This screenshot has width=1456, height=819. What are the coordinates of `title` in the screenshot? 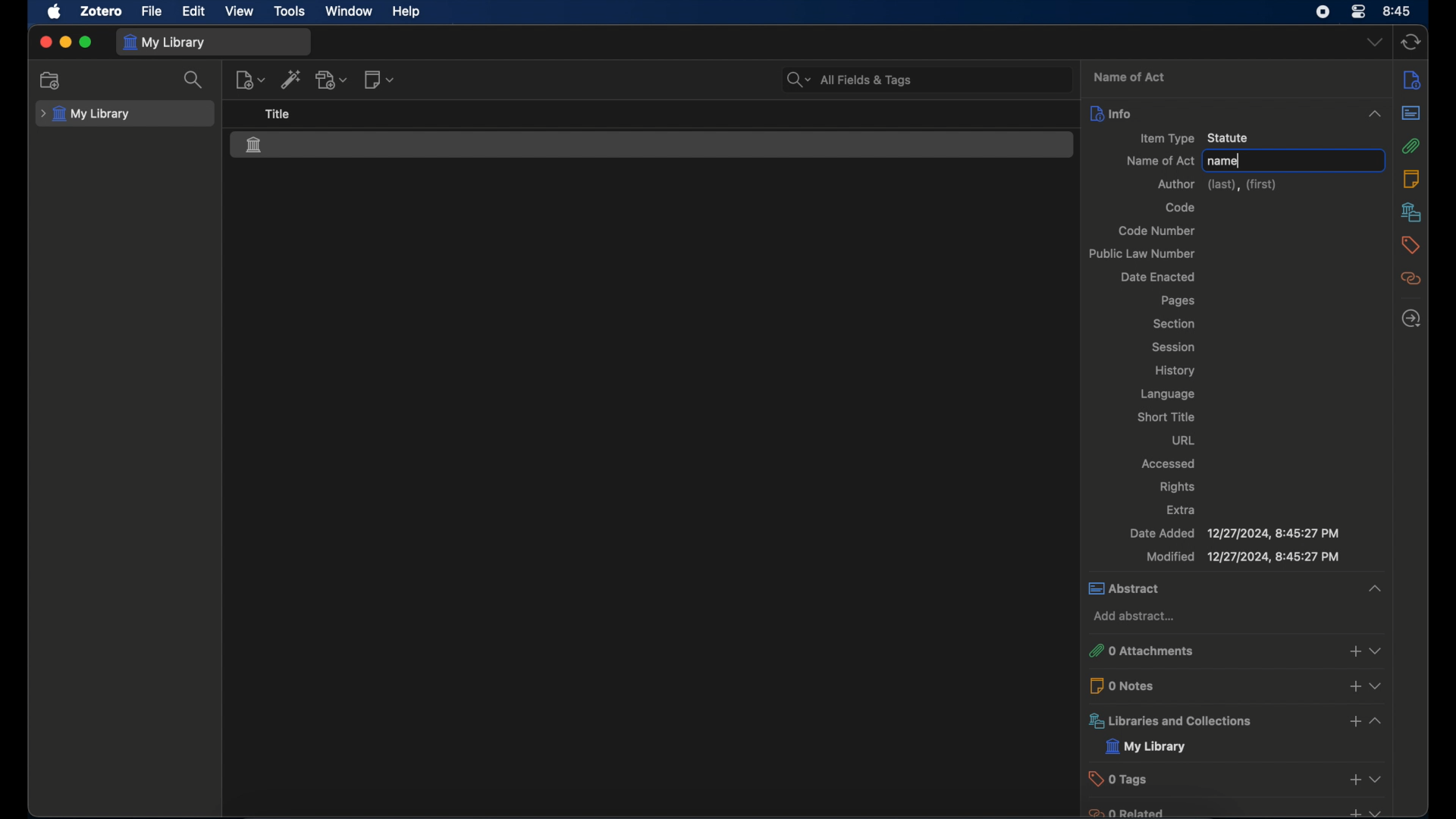 It's located at (279, 115).